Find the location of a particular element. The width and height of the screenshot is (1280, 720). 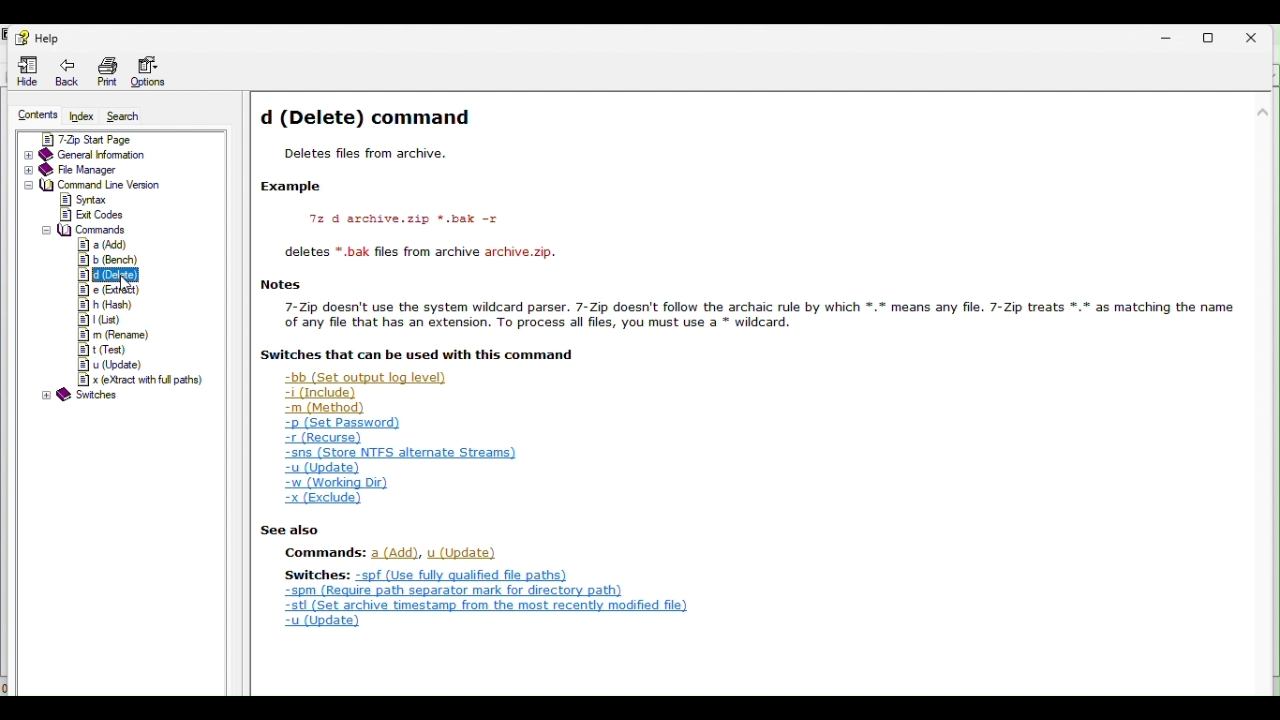

Contents is located at coordinates (36, 114).